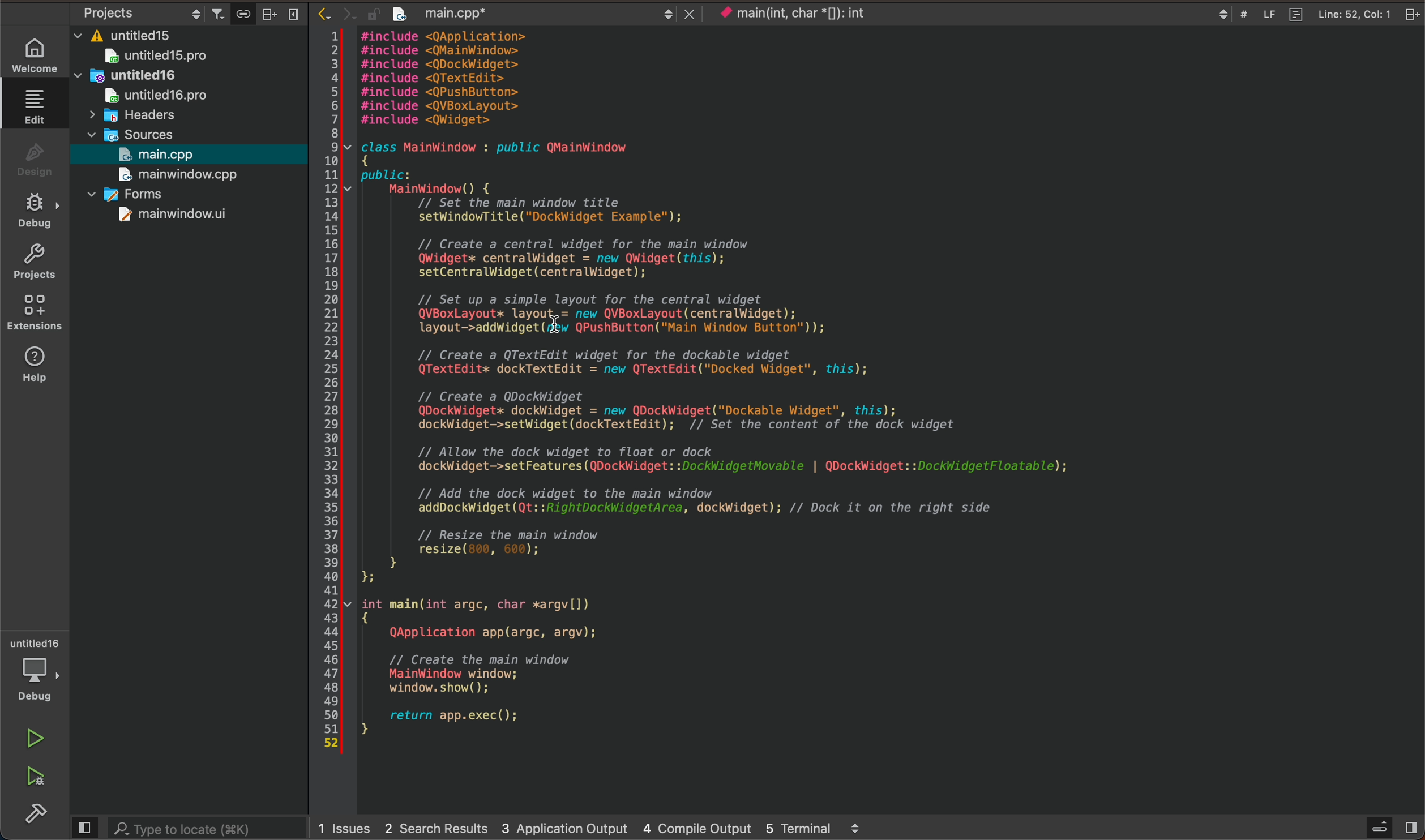  I want to click on updated code, so click(785, 394).